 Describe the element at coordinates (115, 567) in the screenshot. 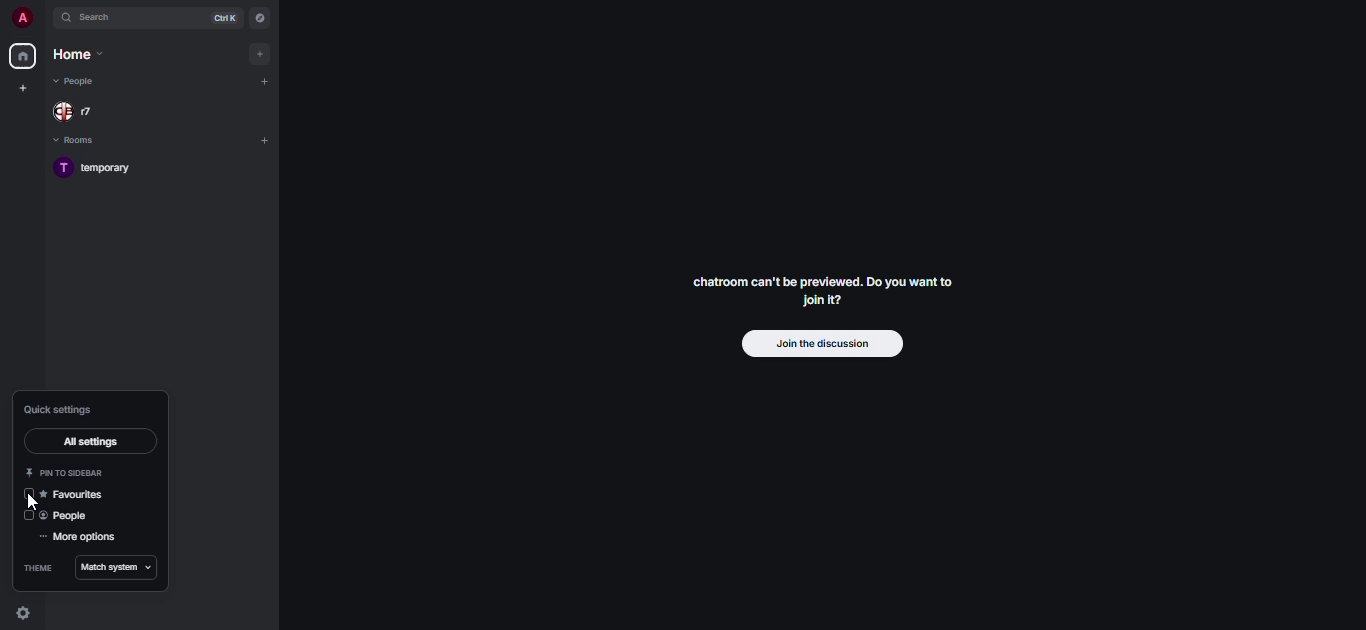

I see `match system` at that location.